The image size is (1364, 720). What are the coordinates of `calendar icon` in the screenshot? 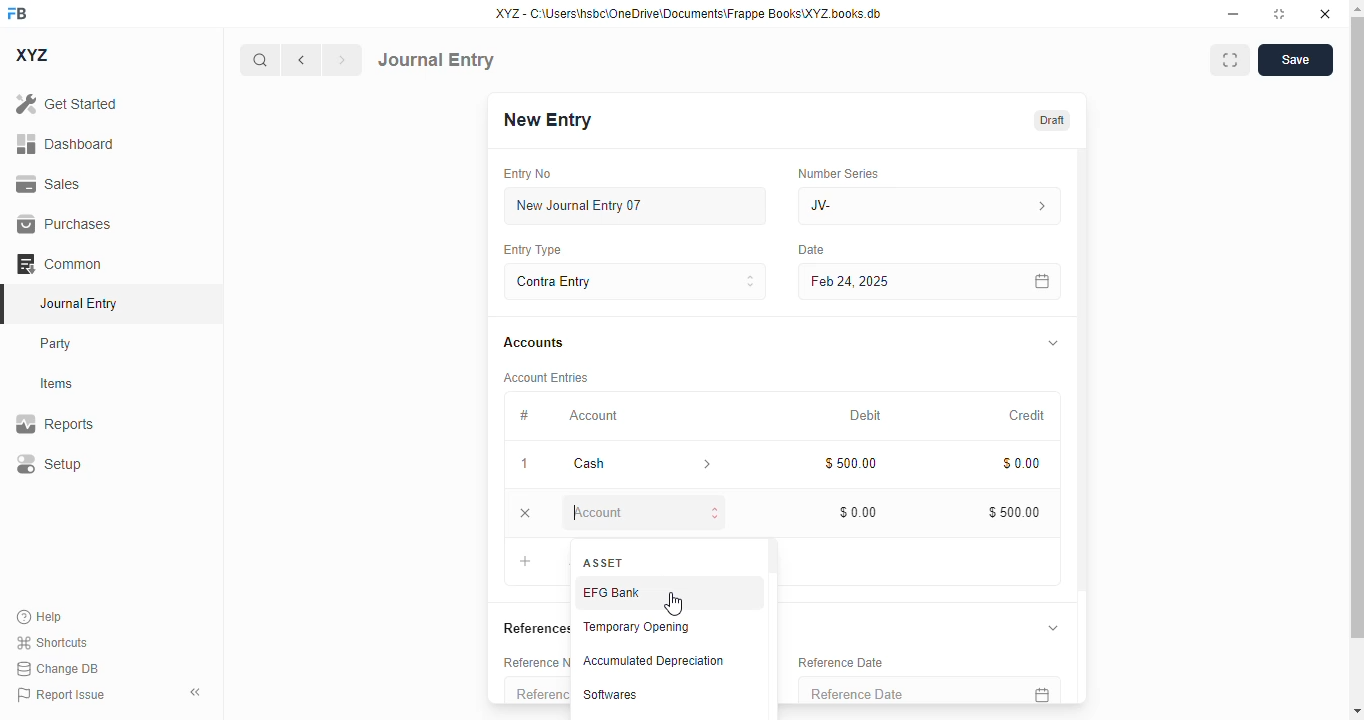 It's located at (1039, 281).